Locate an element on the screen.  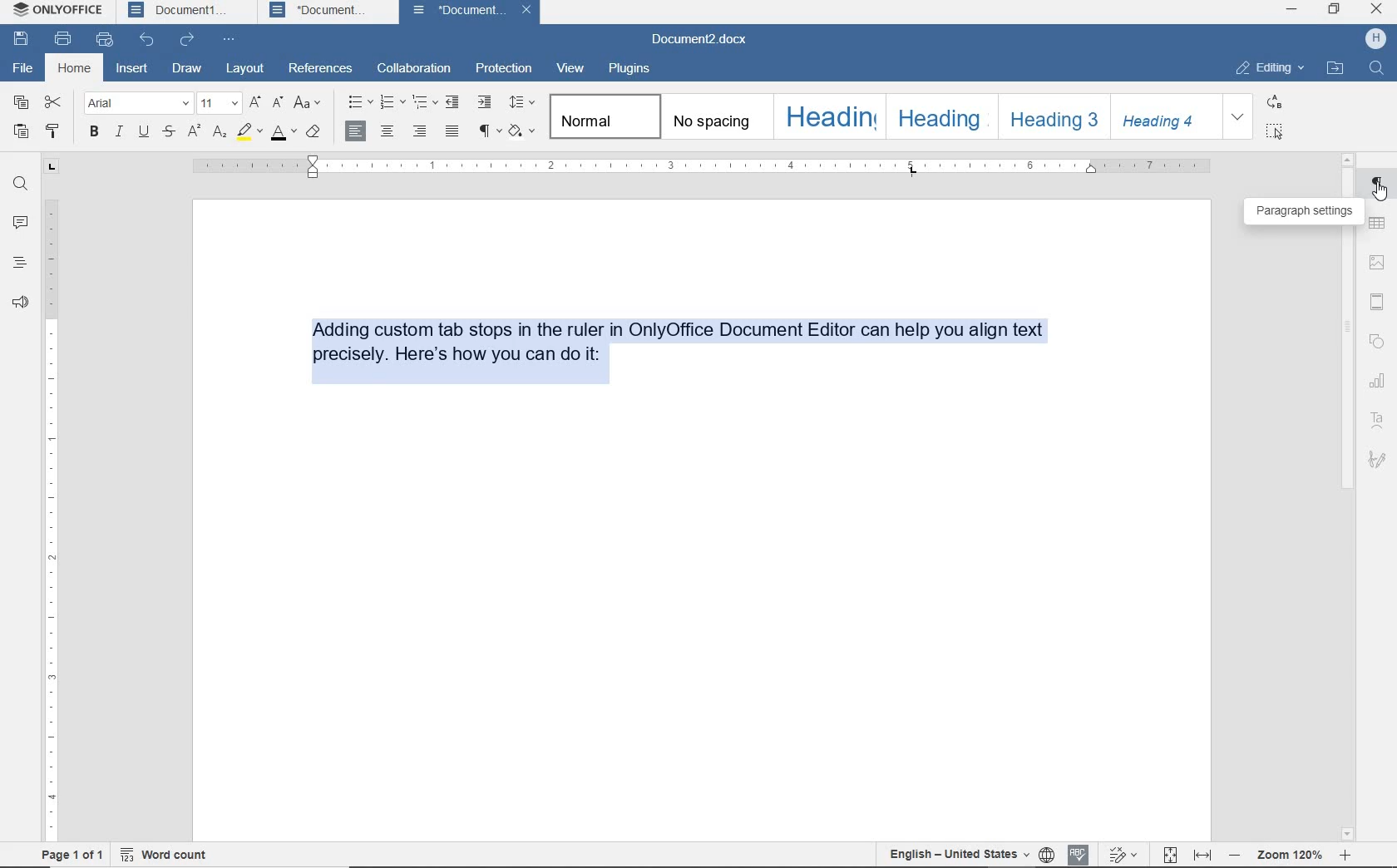
ruler is located at coordinates (699, 165).